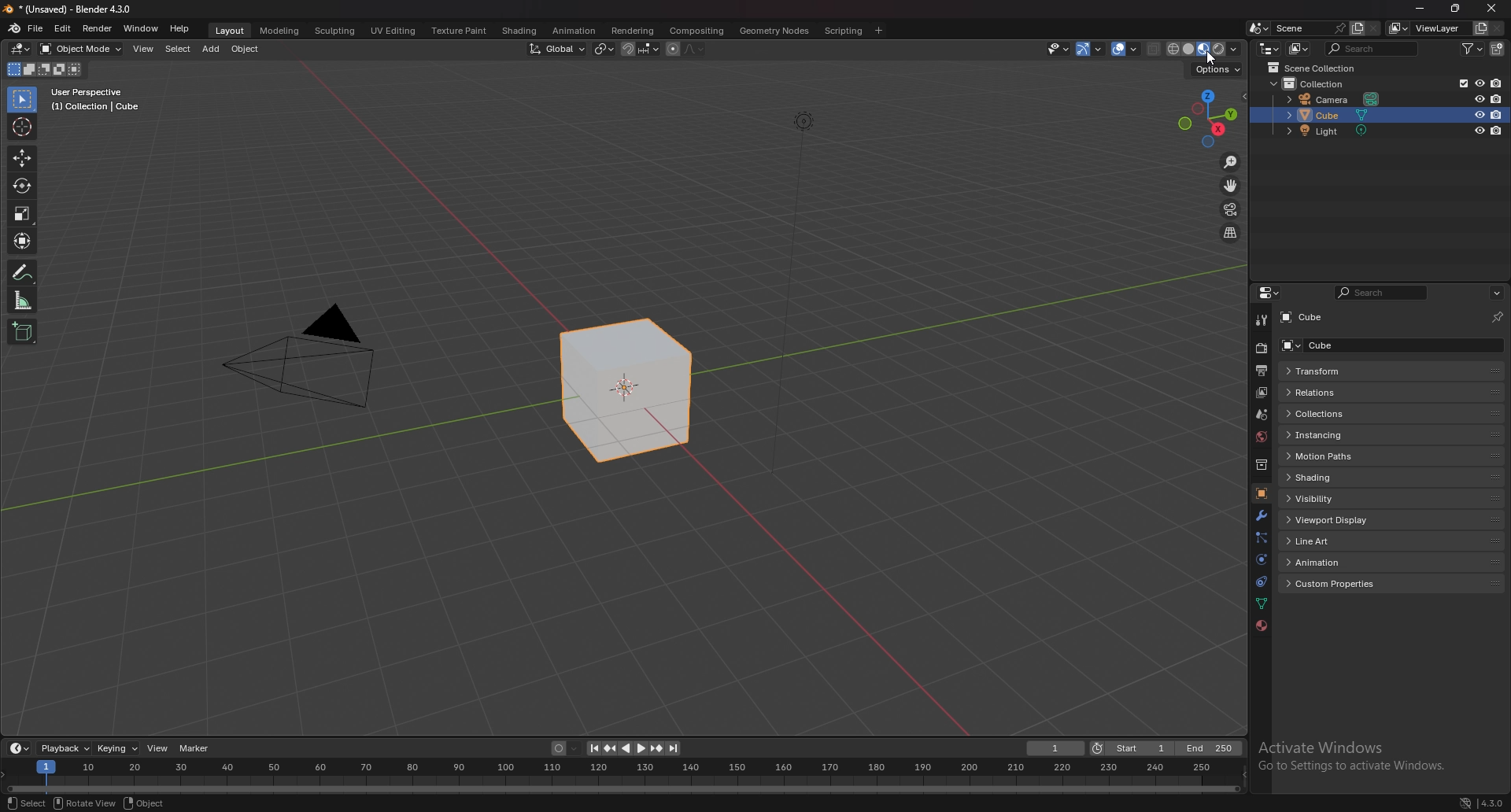 This screenshot has height=812, width=1511. Describe the element at coordinates (179, 49) in the screenshot. I see `select` at that location.